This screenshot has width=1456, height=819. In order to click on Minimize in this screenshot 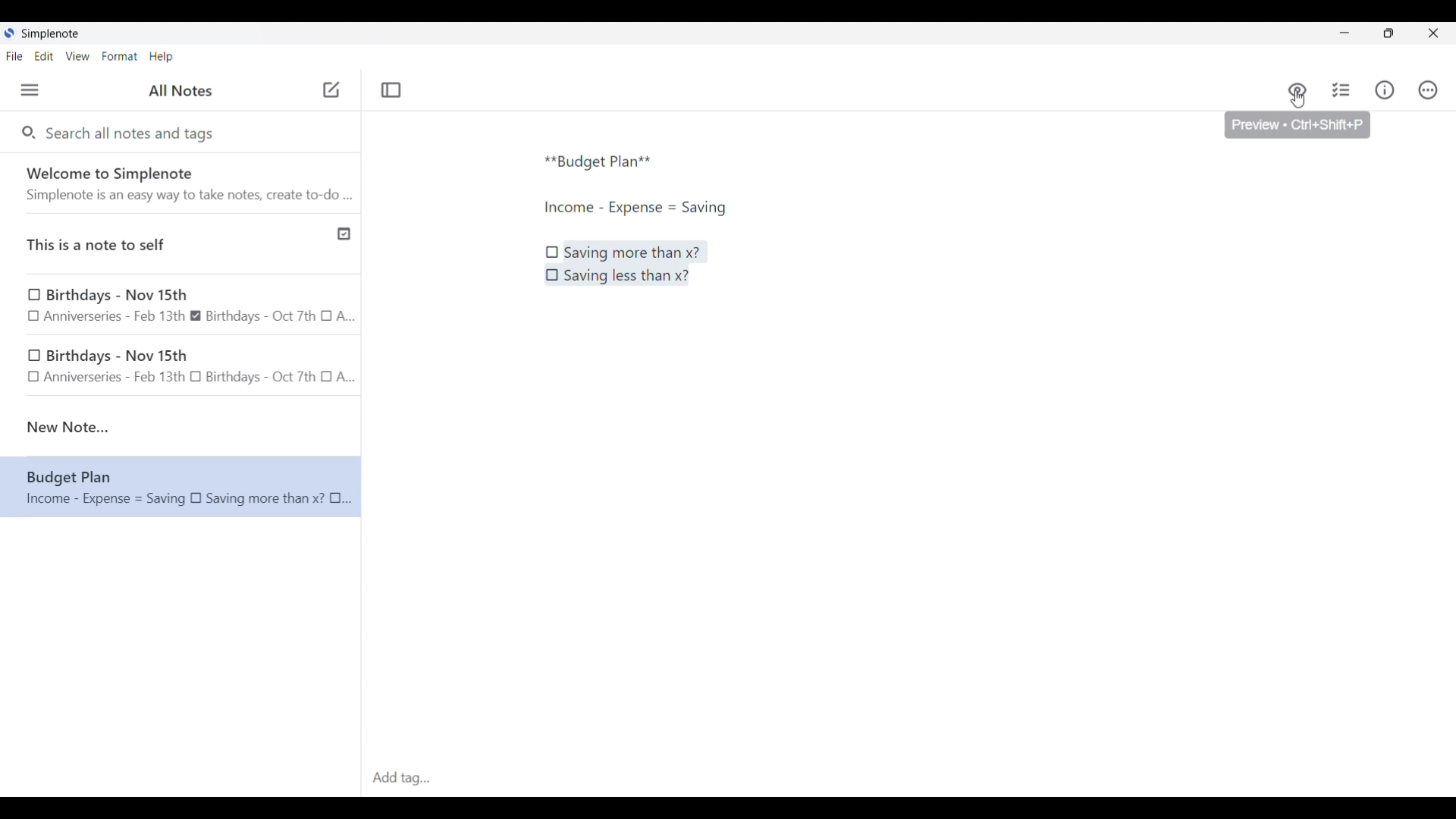, I will do `click(1345, 33)`.